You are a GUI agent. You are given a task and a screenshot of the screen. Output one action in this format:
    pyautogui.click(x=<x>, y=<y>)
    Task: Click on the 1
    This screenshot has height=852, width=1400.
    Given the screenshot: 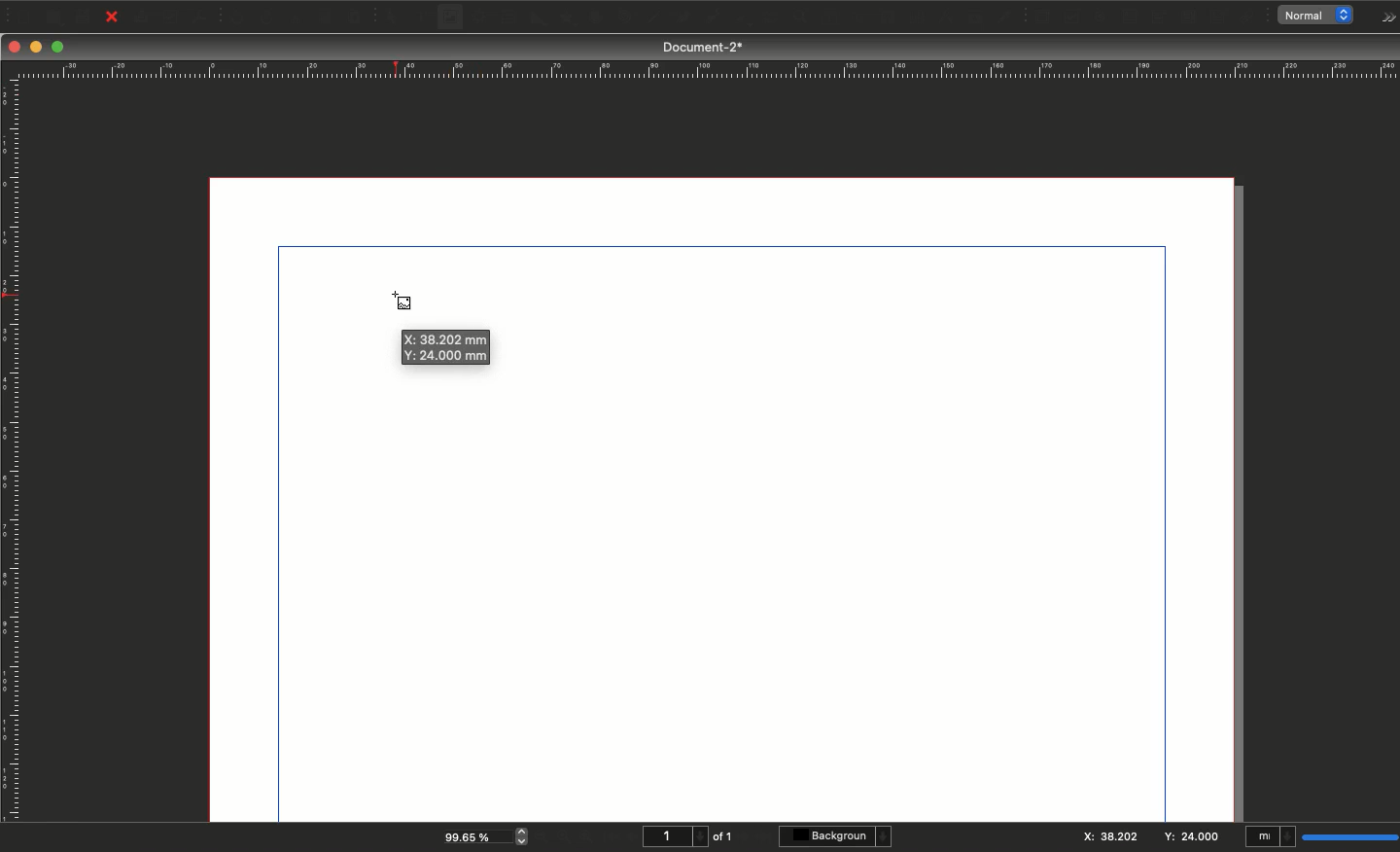 What is the action you would take?
    pyautogui.click(x=673, y=836)
    